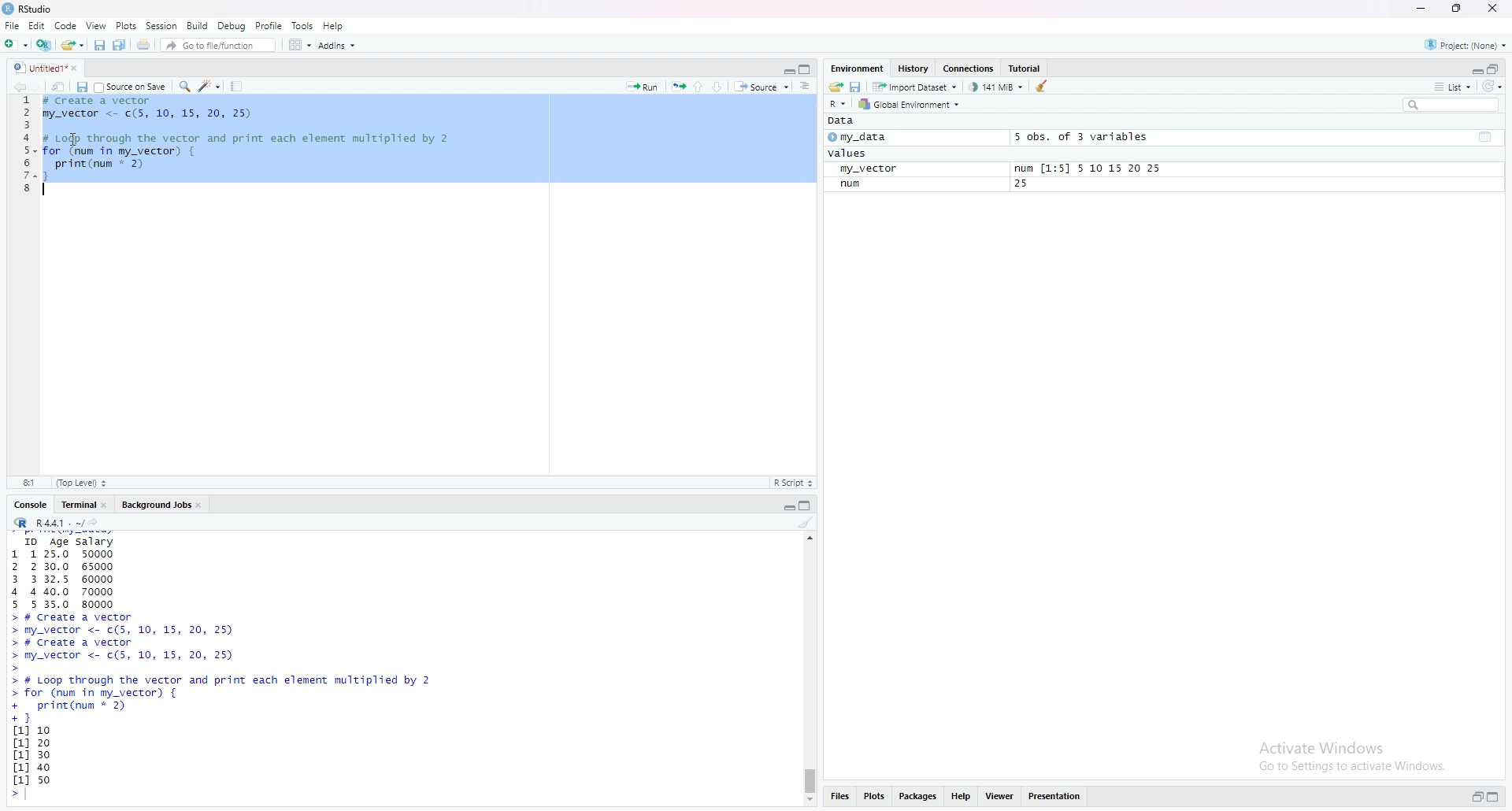  Describe the element at coordinates (25, 148) in the screenshot. I see `line numbers` at that location.